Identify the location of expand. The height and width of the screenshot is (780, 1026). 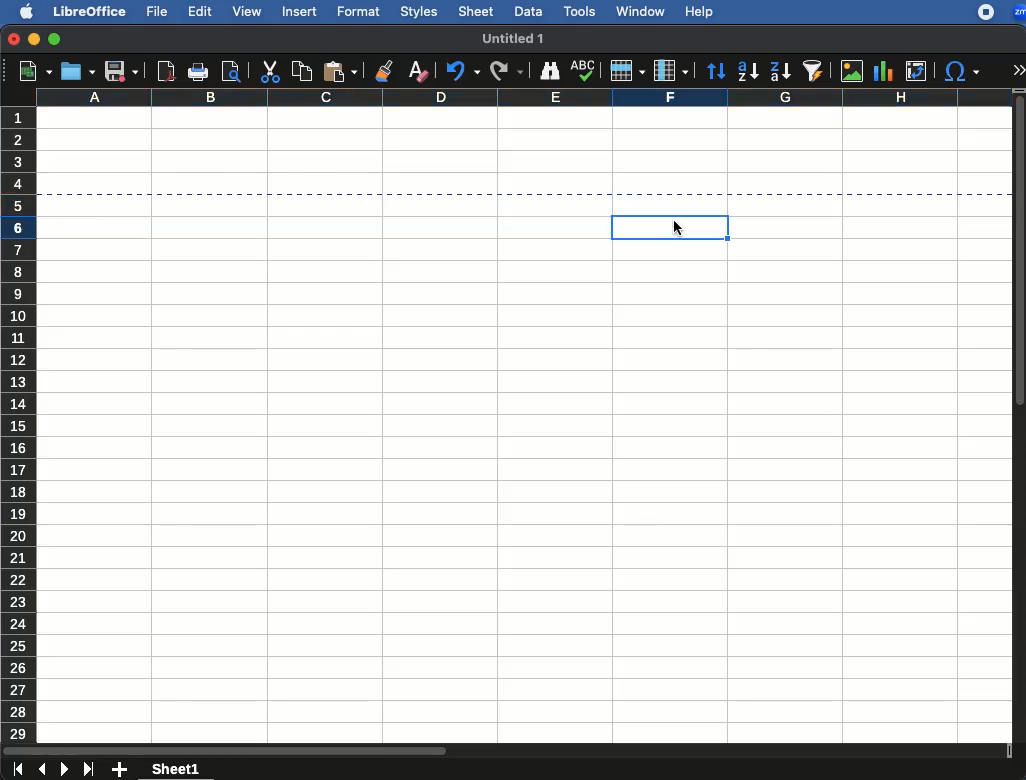
(1019, 66).